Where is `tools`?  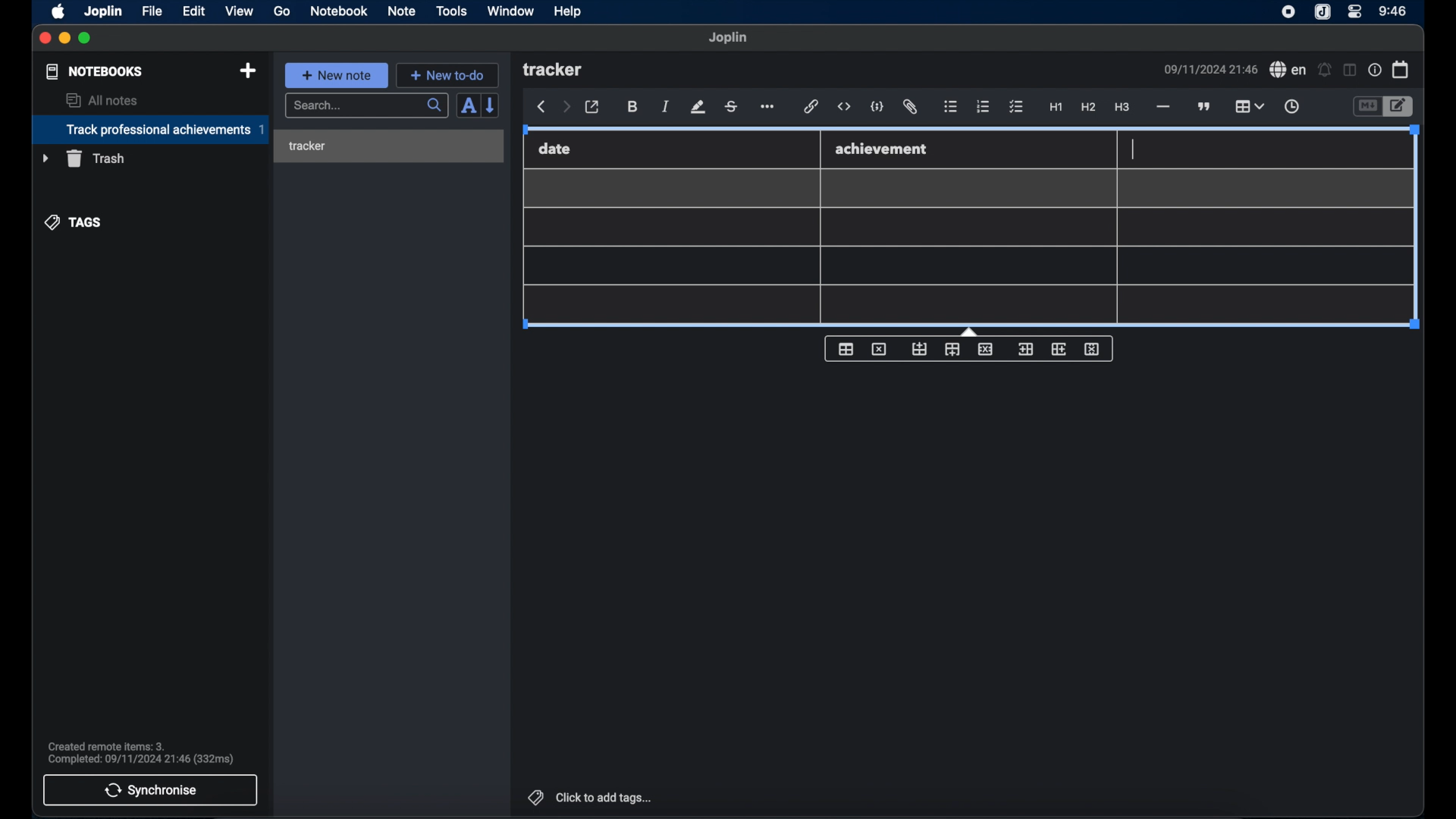 tools is located at coordinates (452, 11).